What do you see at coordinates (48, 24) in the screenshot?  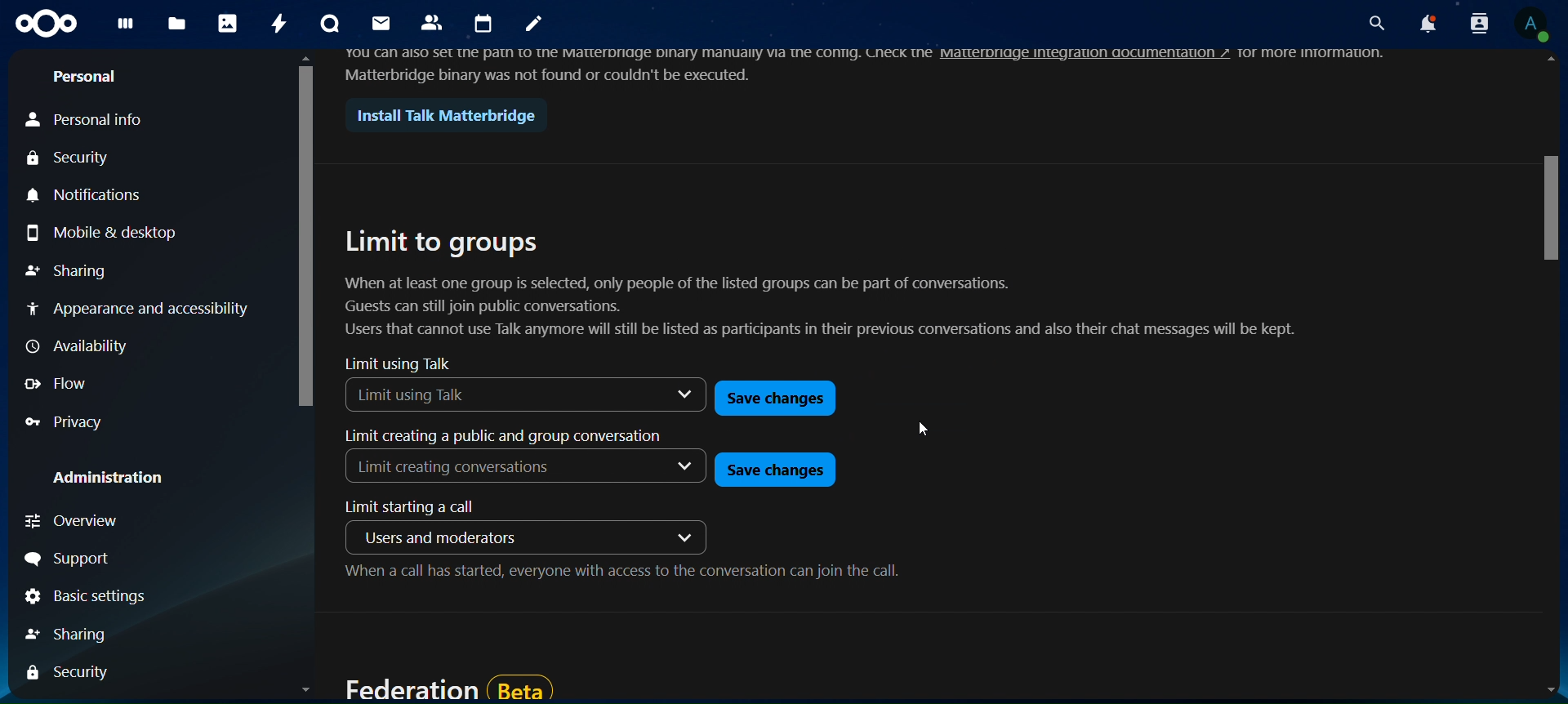 I see `icon` at bounding box center [48, 24].